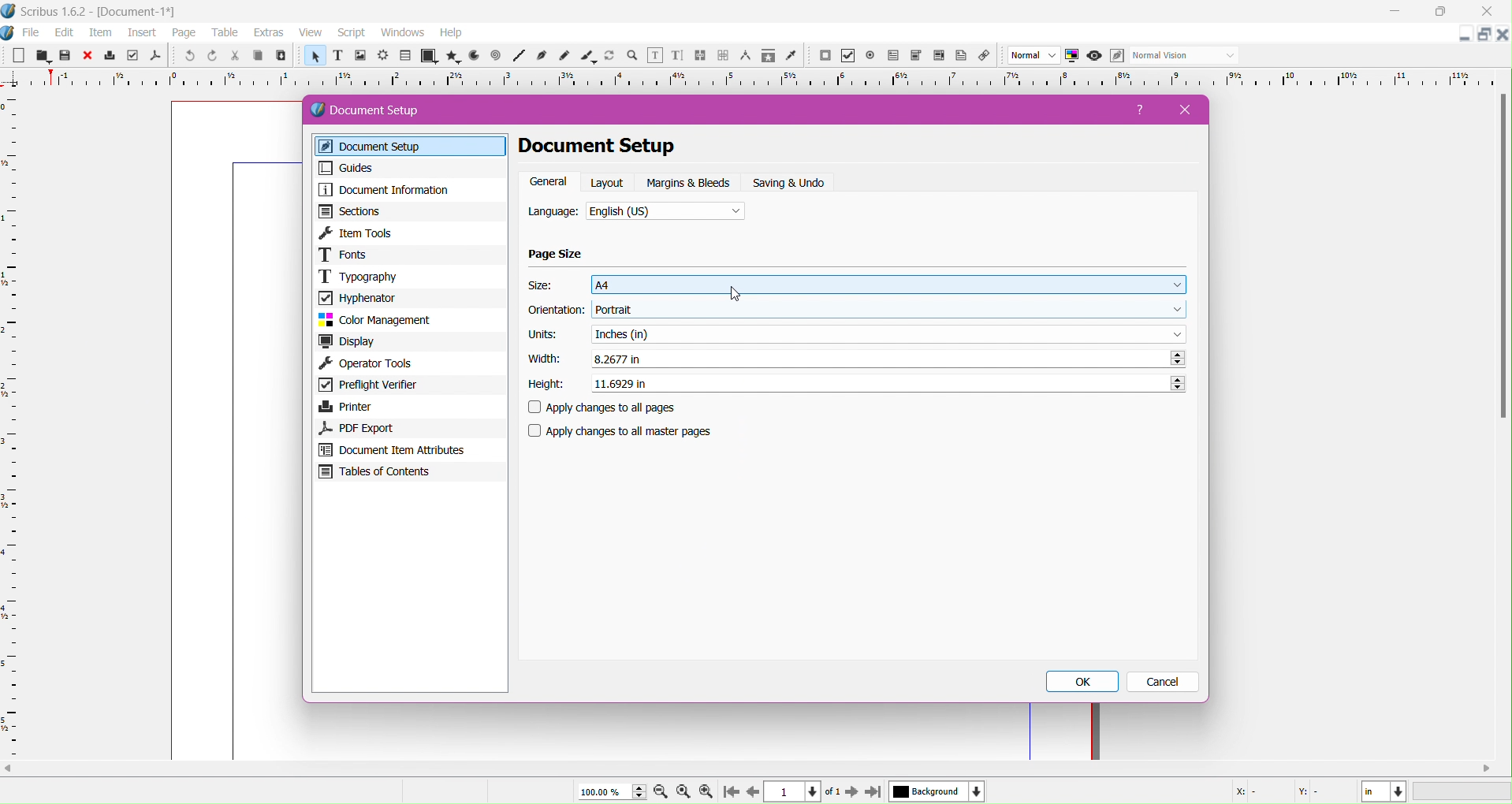 The image size is (1512, 804). Describe the element at coordinates (940, 57) in the screenshot. I see `pdf list box` at that location.